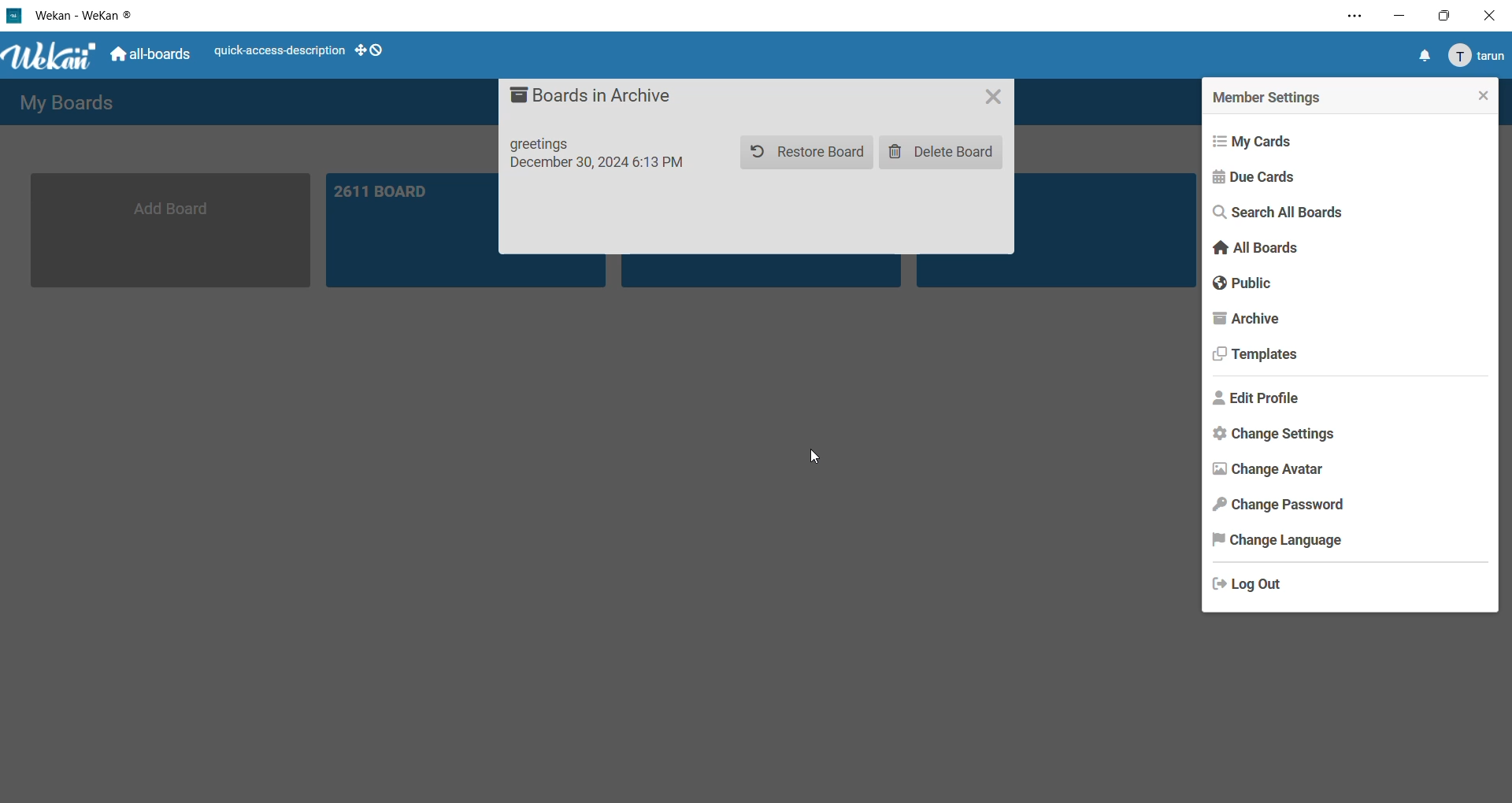  I want to click on member settings, so click(1276, 96).